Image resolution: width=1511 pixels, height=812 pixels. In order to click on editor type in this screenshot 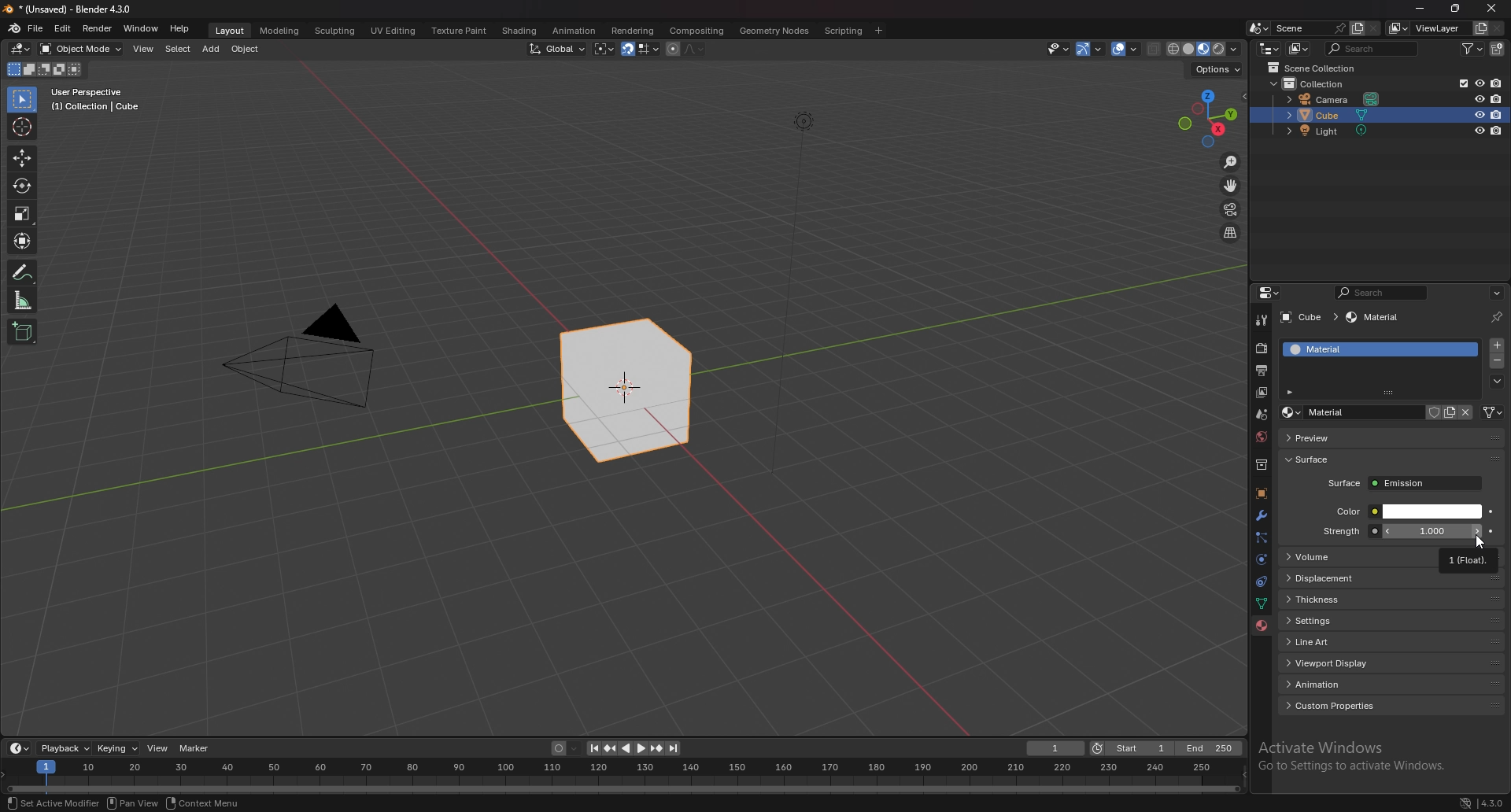, I will do `click(1269, 48)`.